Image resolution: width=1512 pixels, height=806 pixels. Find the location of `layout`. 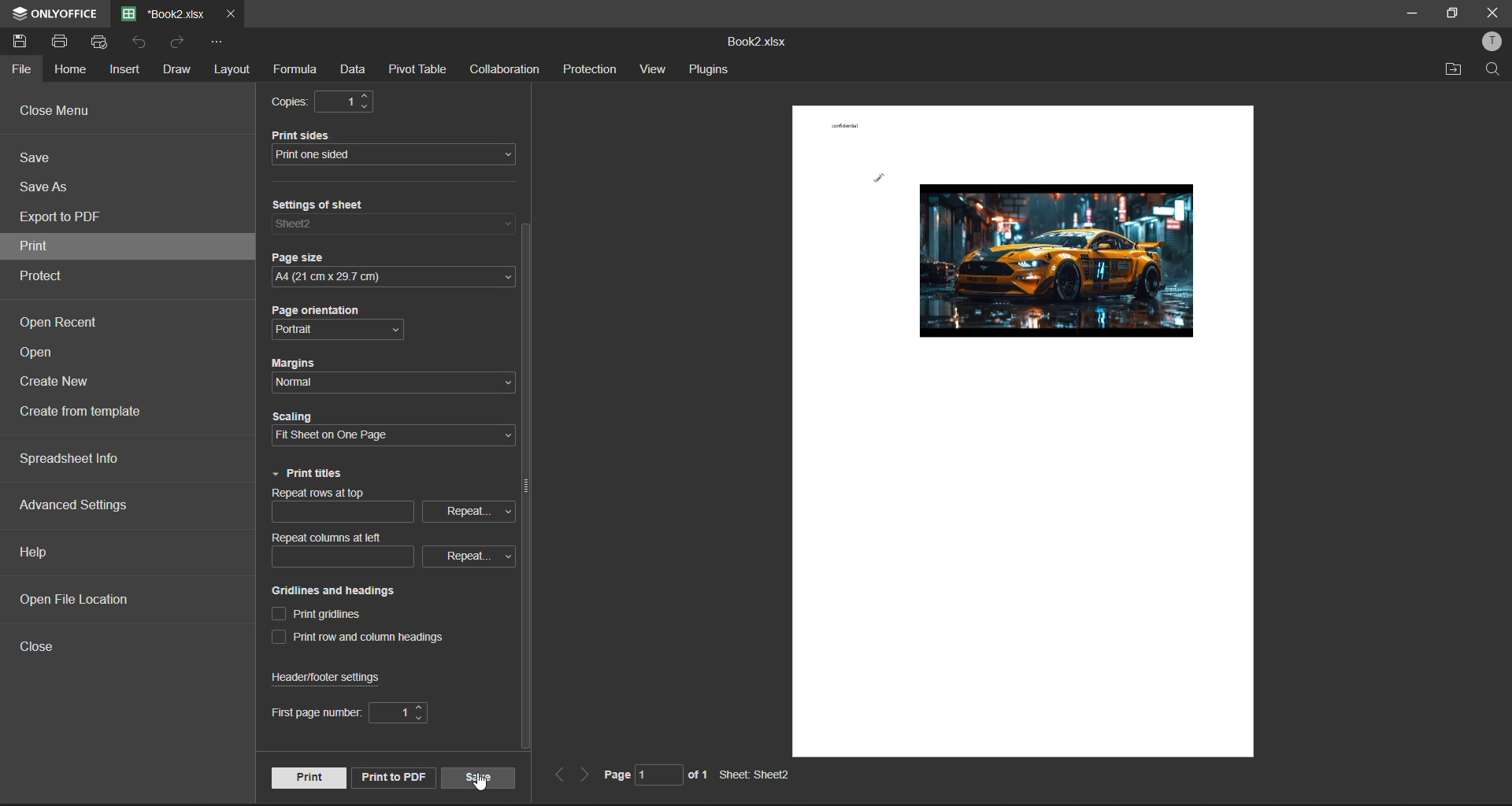

layout is located at coordinates (235, 70).